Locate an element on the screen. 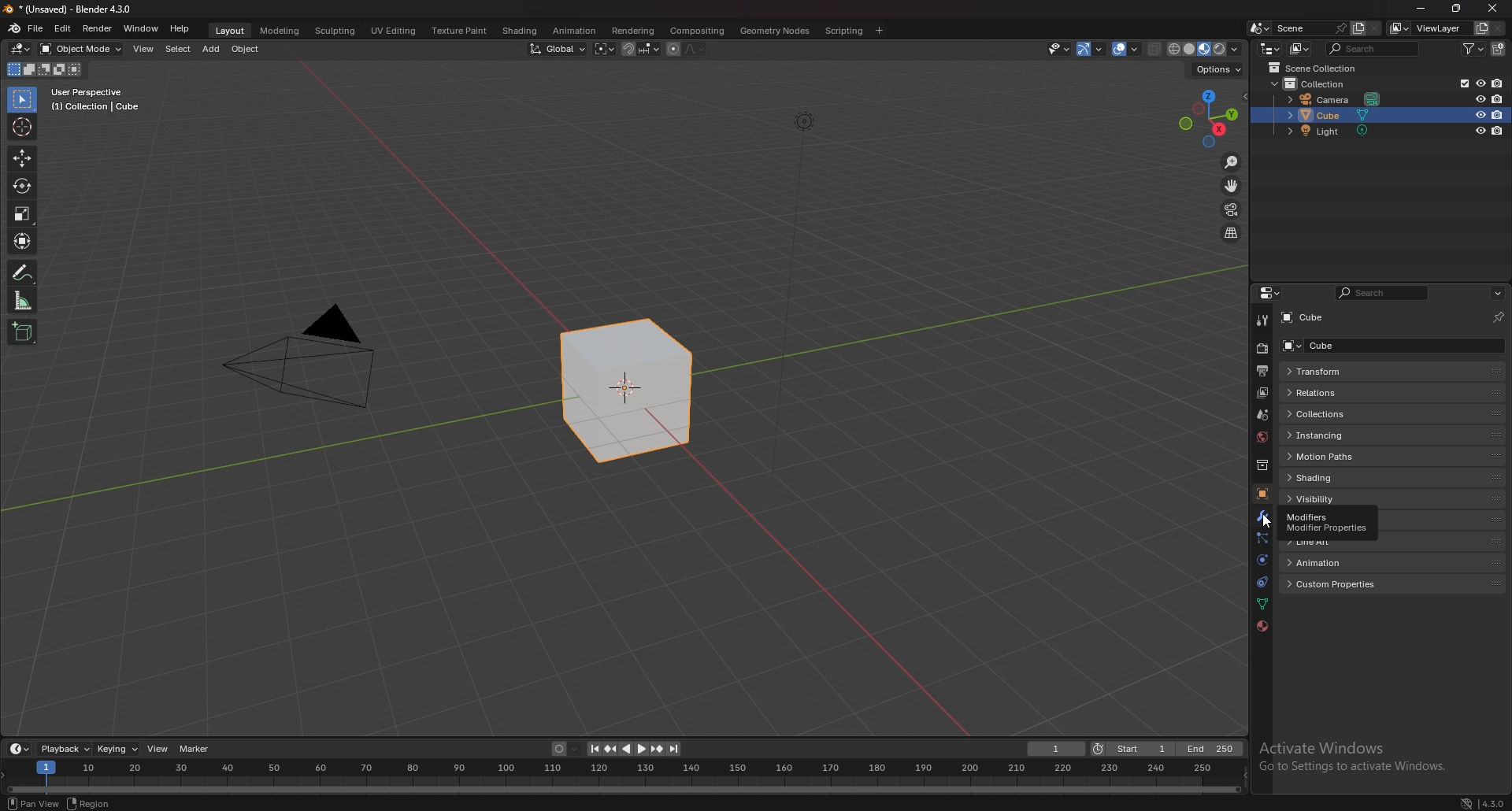 The width and height of the screenshot is (1512, 811). camera view is located at coordinates (1232, 210).